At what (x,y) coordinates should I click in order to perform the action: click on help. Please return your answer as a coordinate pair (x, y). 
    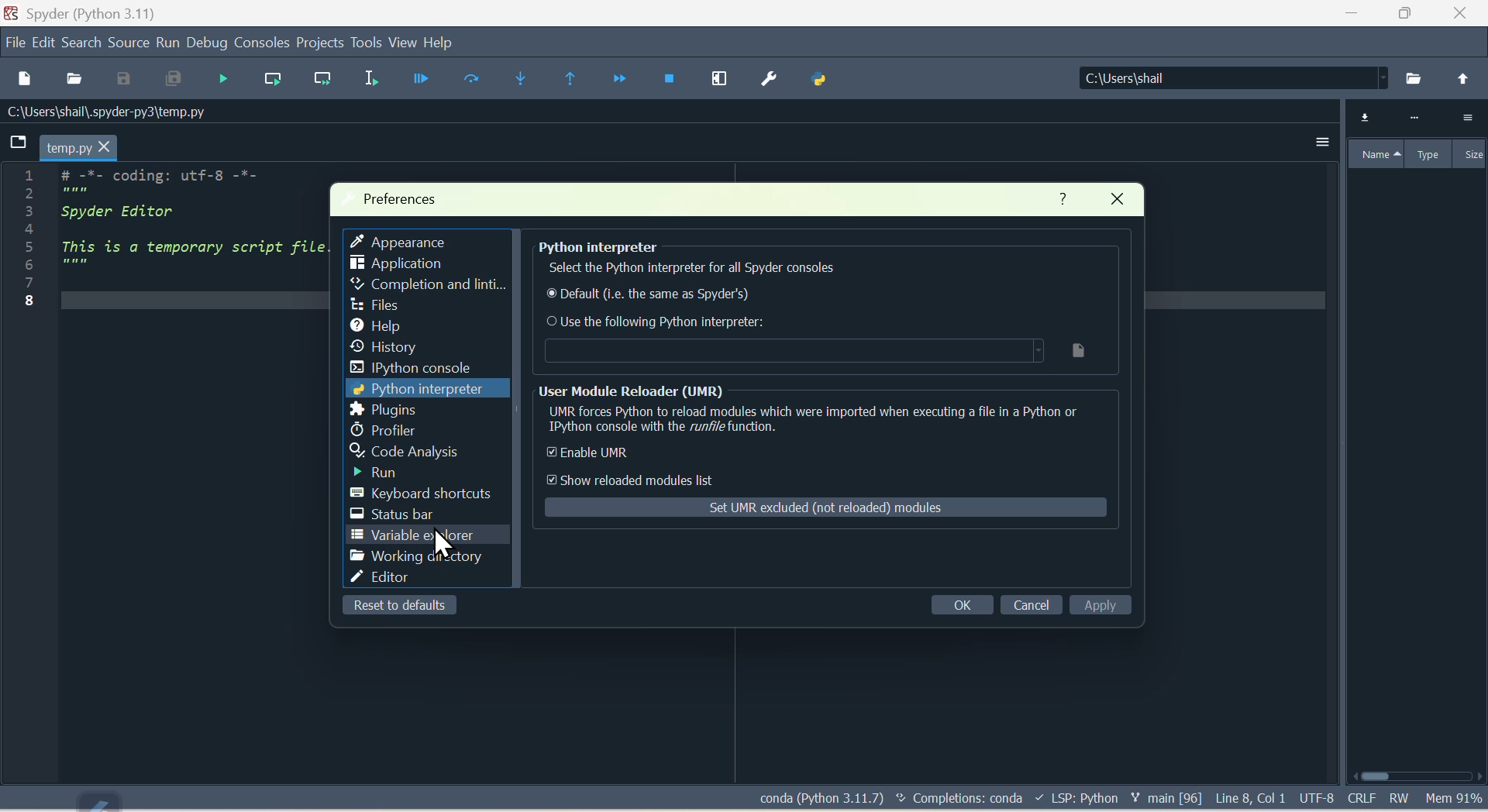
    Looking at the image, I should click on (1059, 198).